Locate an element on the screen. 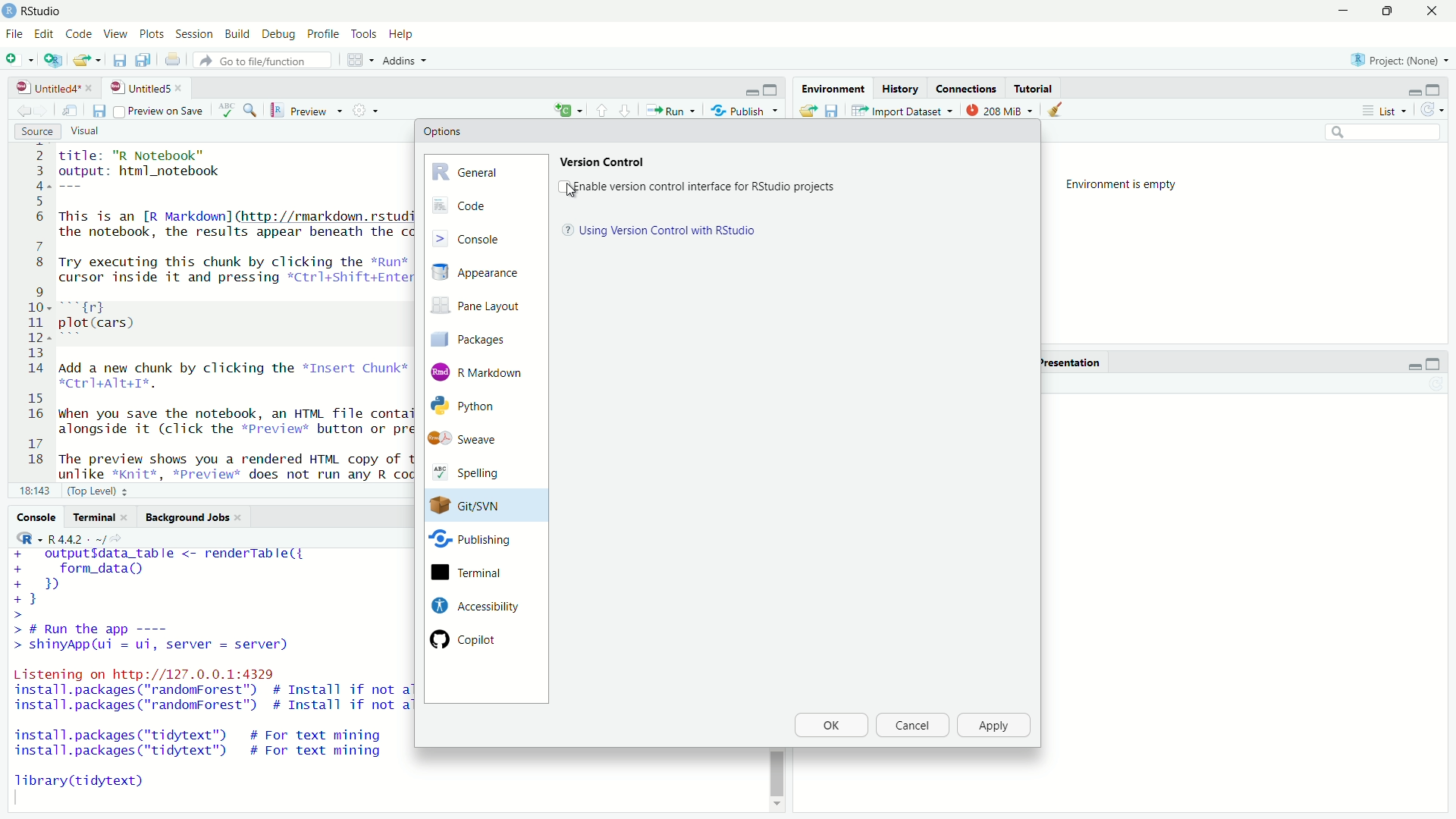  Profile is located at coordinates (322, 35).